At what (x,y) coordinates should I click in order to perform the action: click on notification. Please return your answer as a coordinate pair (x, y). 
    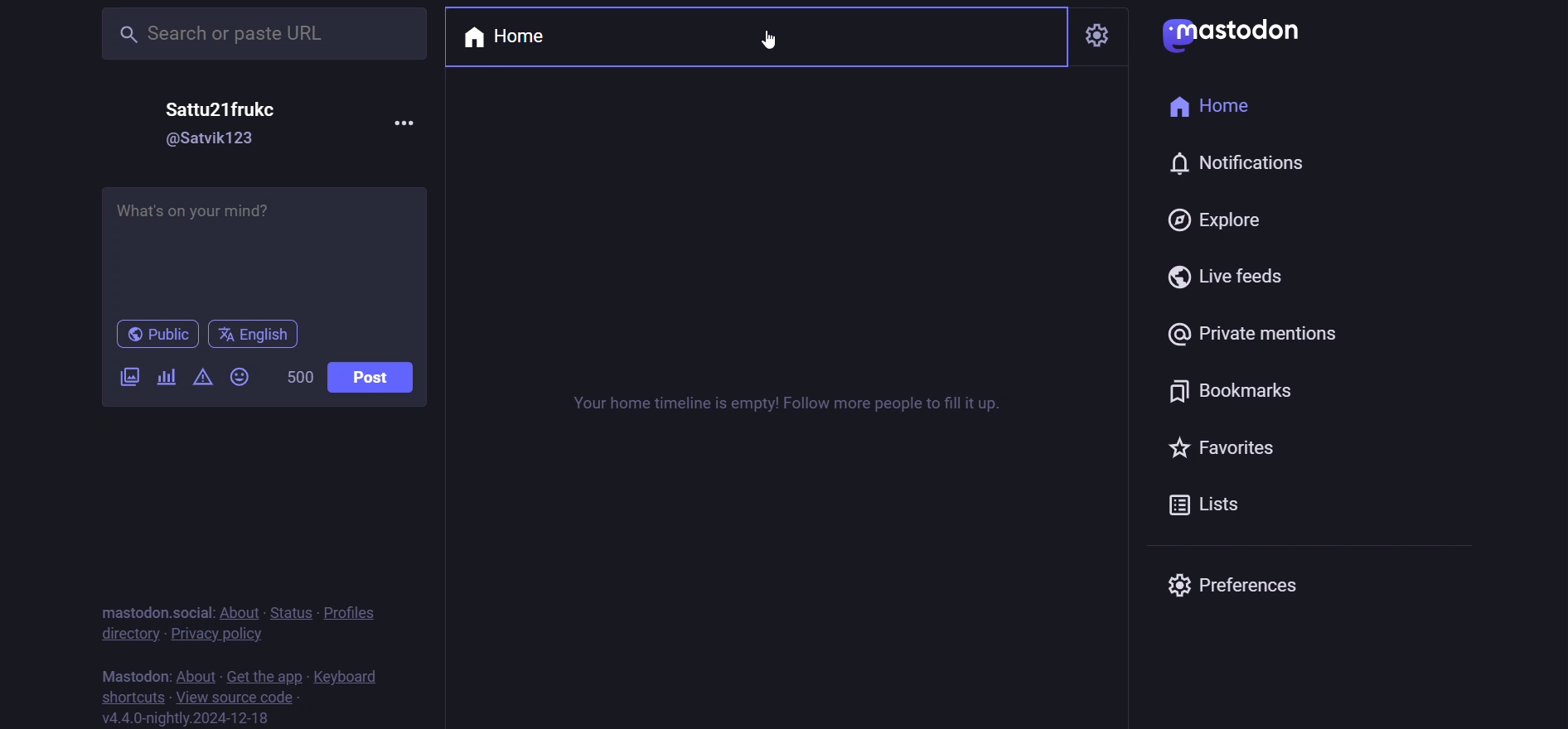
    Looking at the image, I should click on (1236, 167).